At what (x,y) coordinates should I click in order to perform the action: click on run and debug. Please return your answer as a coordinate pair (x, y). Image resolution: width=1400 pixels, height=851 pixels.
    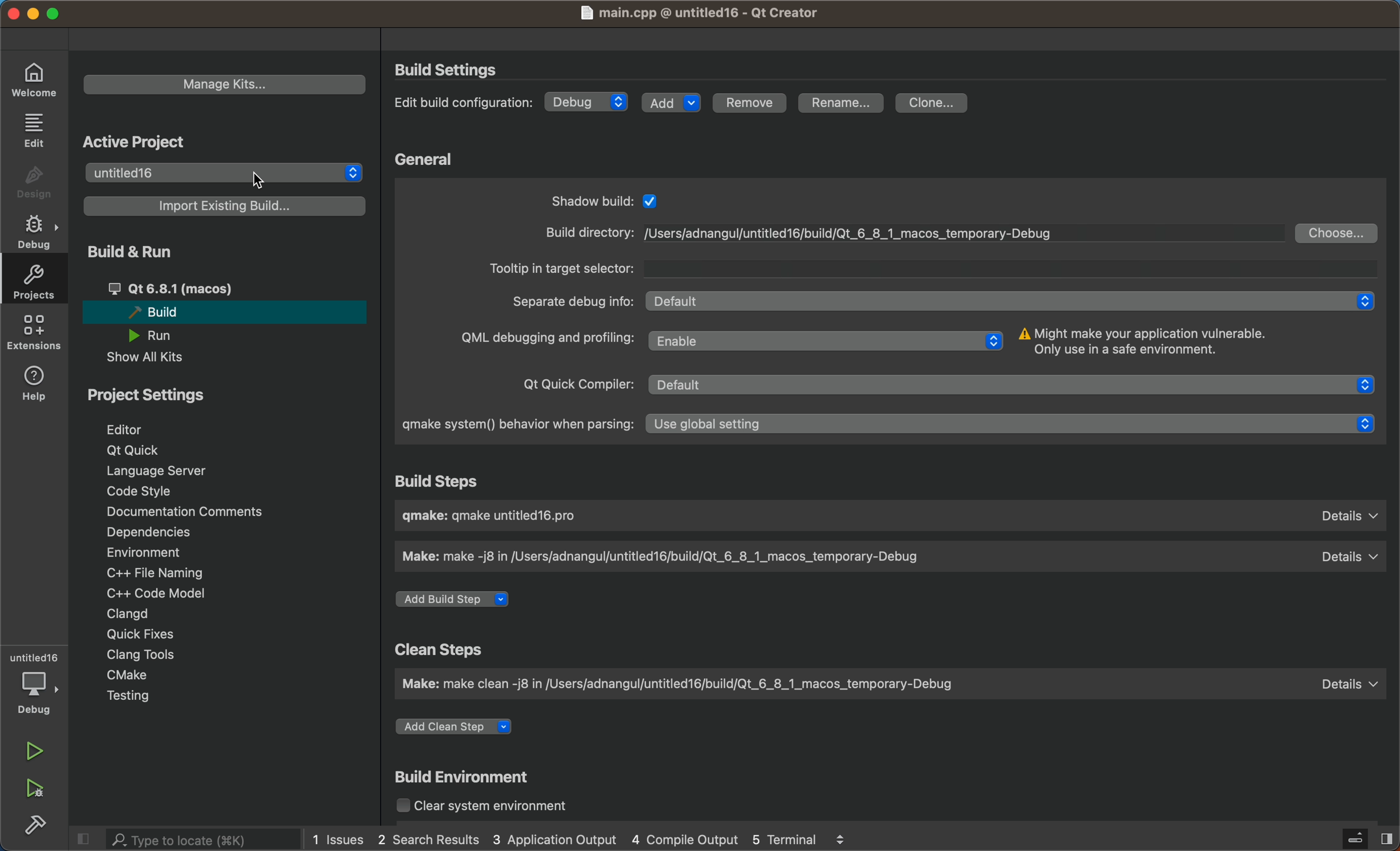
    Looking at the image, I should click on (34, 790).